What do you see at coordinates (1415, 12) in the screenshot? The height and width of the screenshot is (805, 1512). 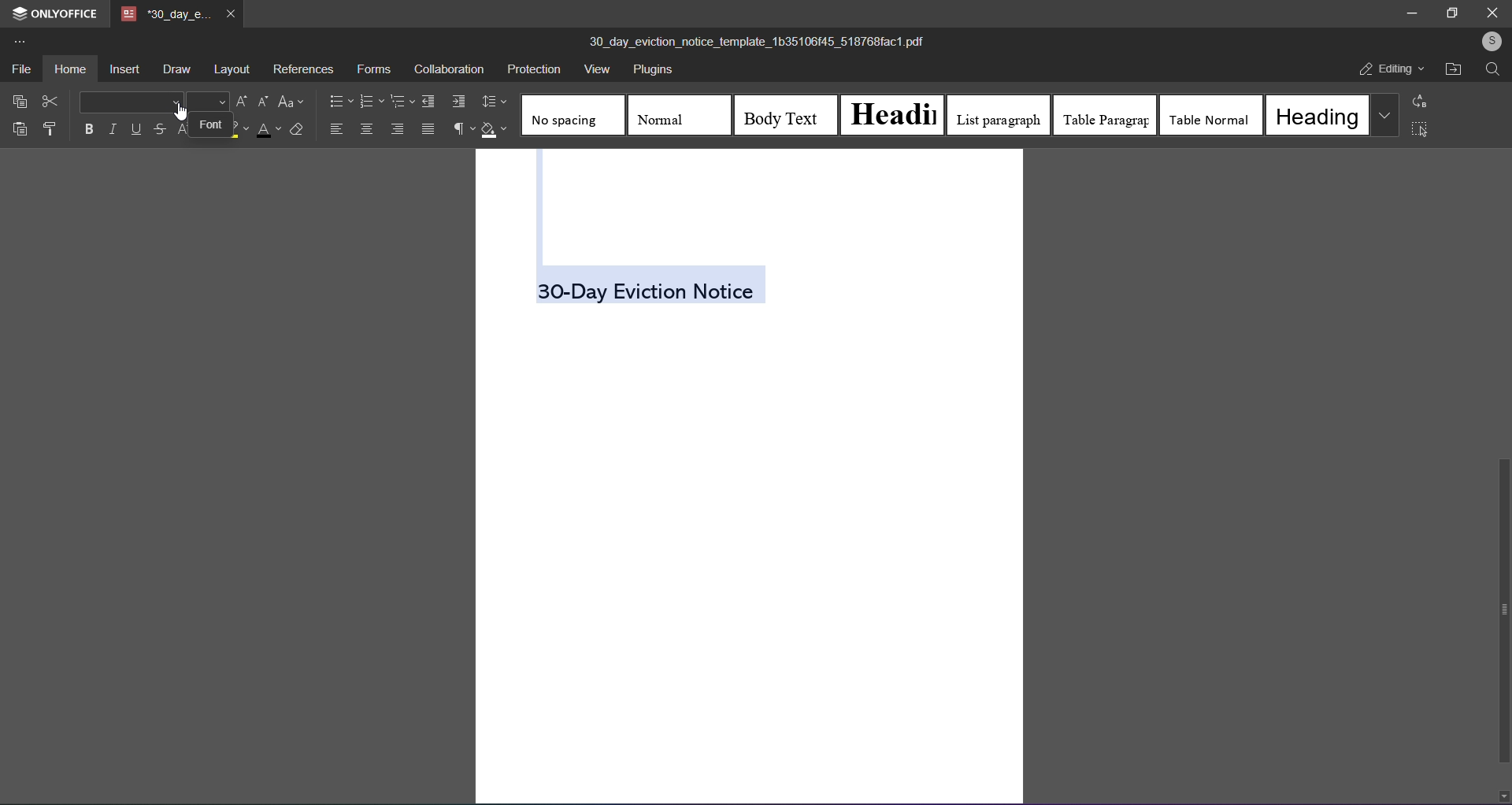 I see `minimize` at bounding box center [1415, 12].